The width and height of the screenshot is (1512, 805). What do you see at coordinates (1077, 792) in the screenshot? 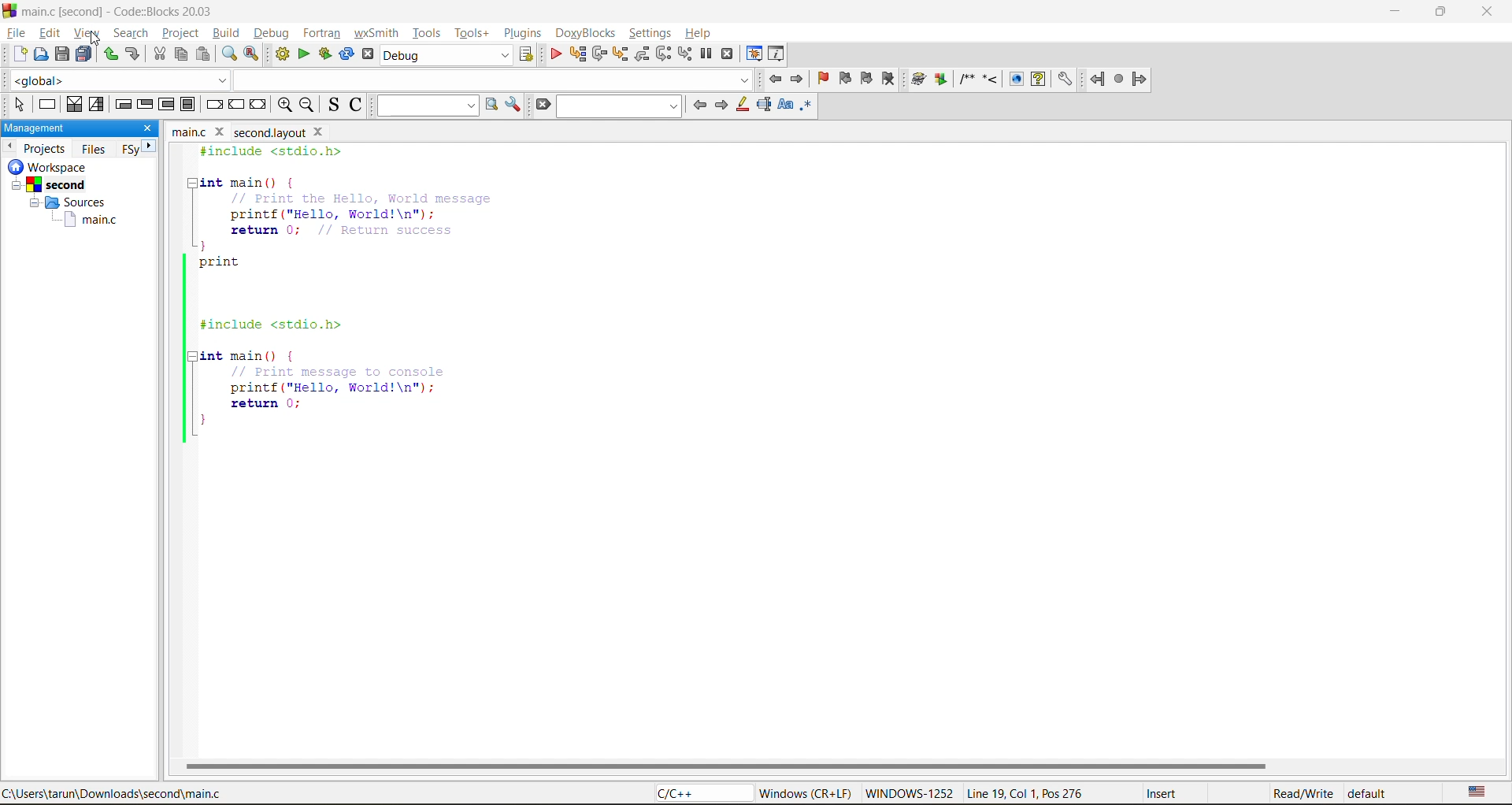
I see `metadata` at bounding box center [1077, 792].